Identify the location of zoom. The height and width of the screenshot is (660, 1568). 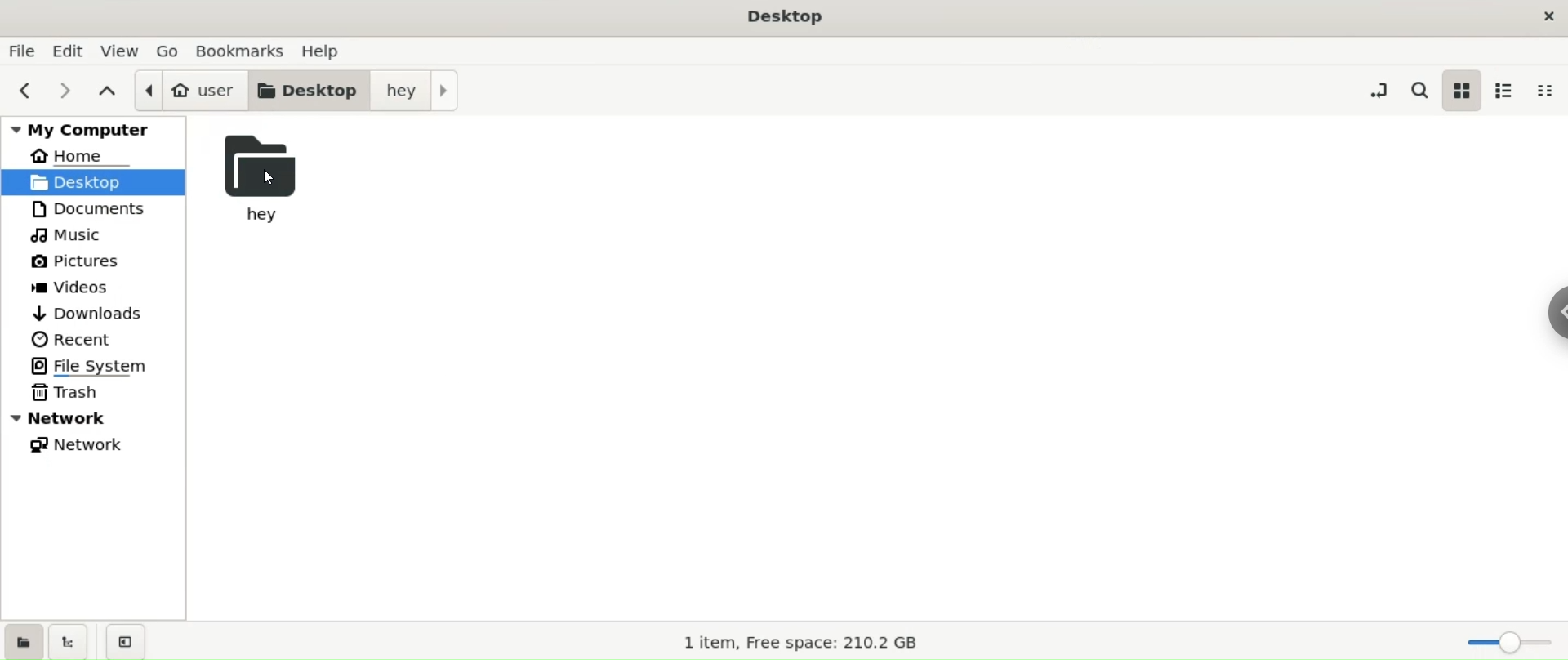
(1505, 643).